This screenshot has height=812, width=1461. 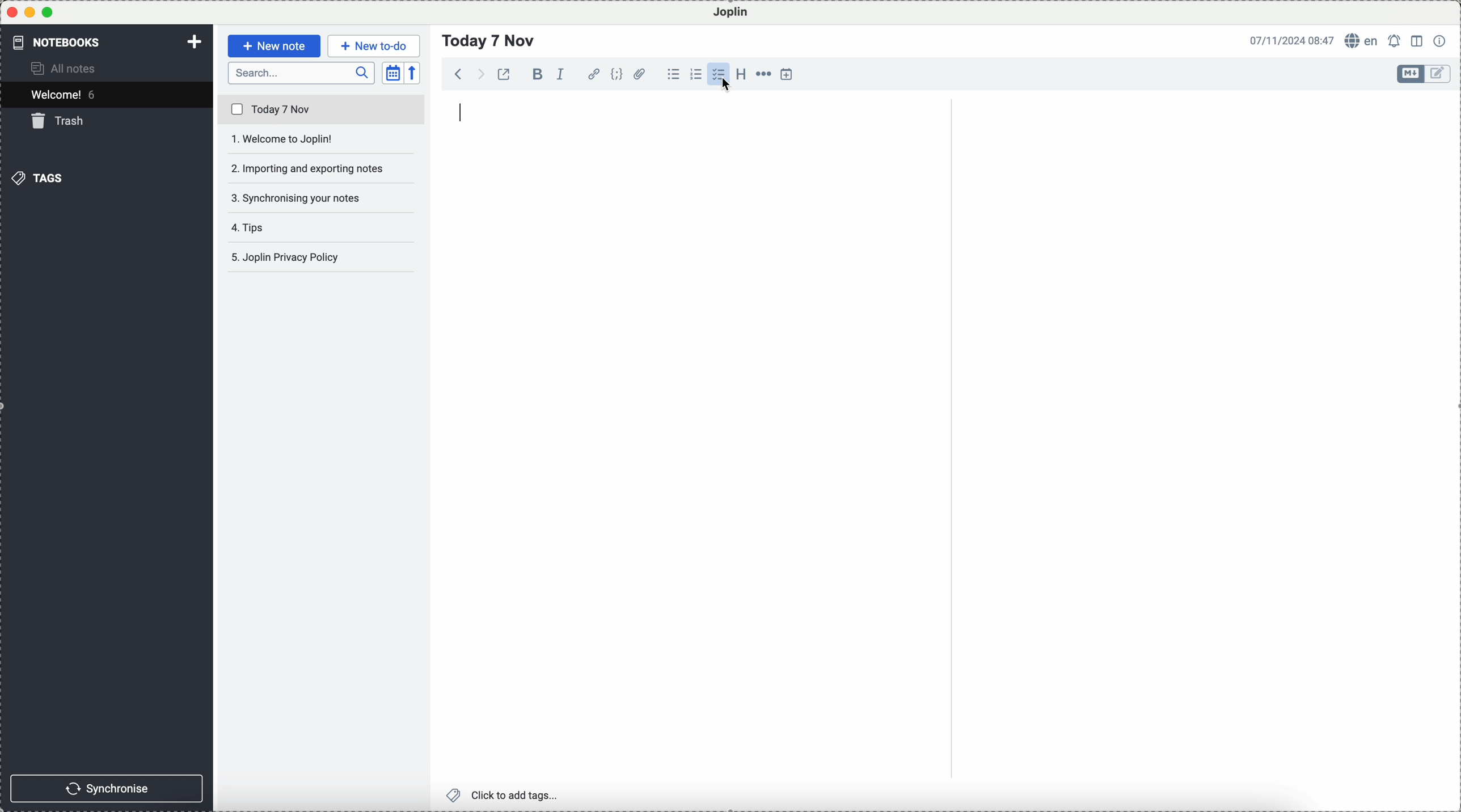 What do you see at coordinates (253, 227) in the screenshot?
I see `tips` at bounding box center [253, 227].